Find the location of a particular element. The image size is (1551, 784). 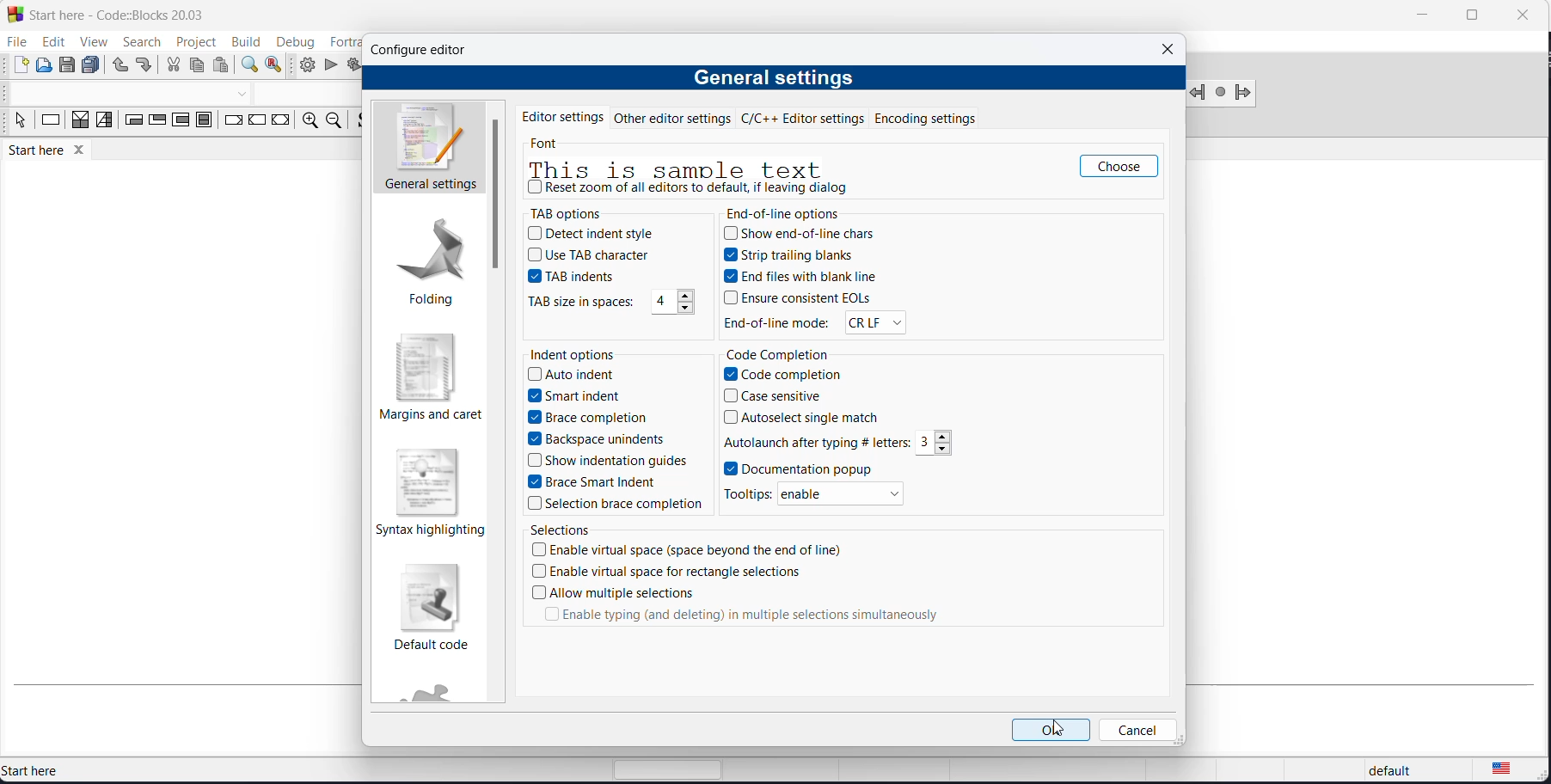

scrollbar is located at coordinates (497, 193).